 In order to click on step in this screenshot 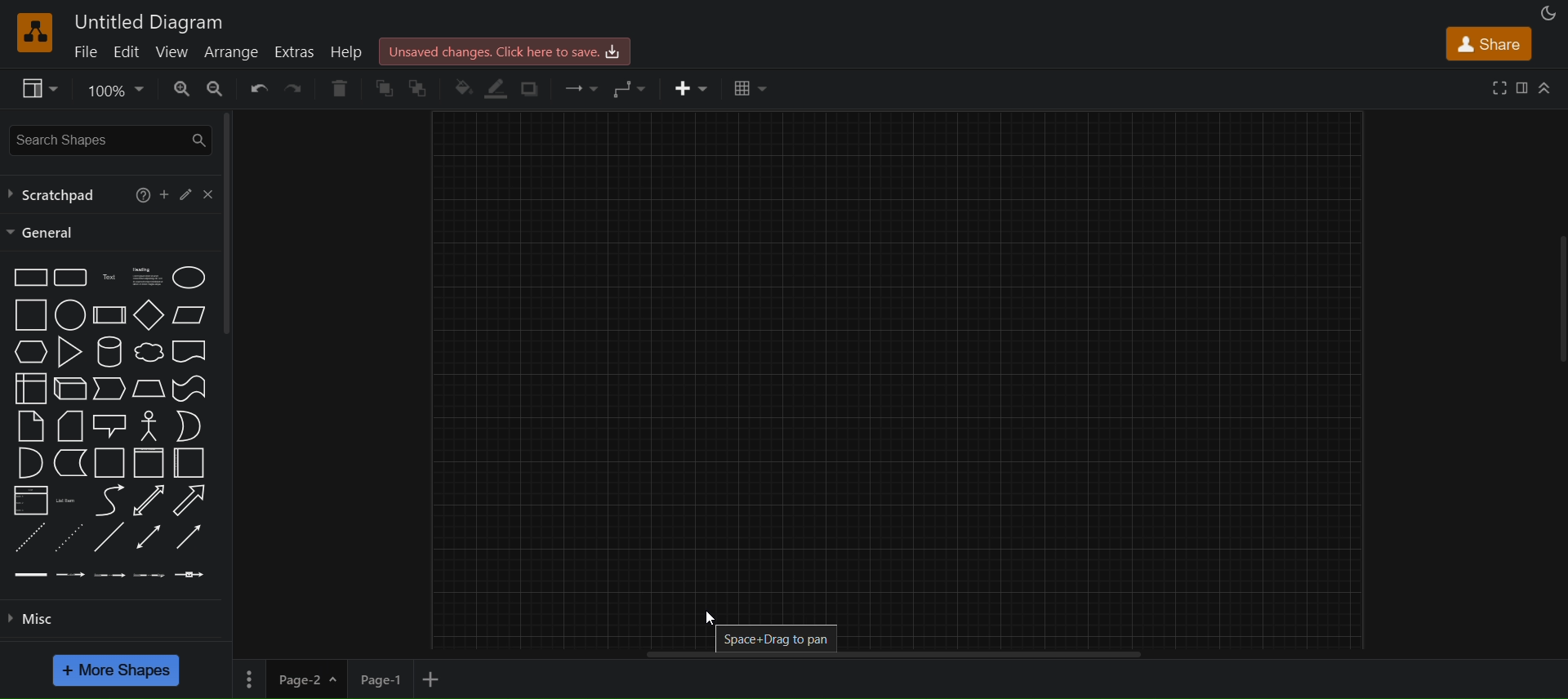, I will do `click(109, 390)`.